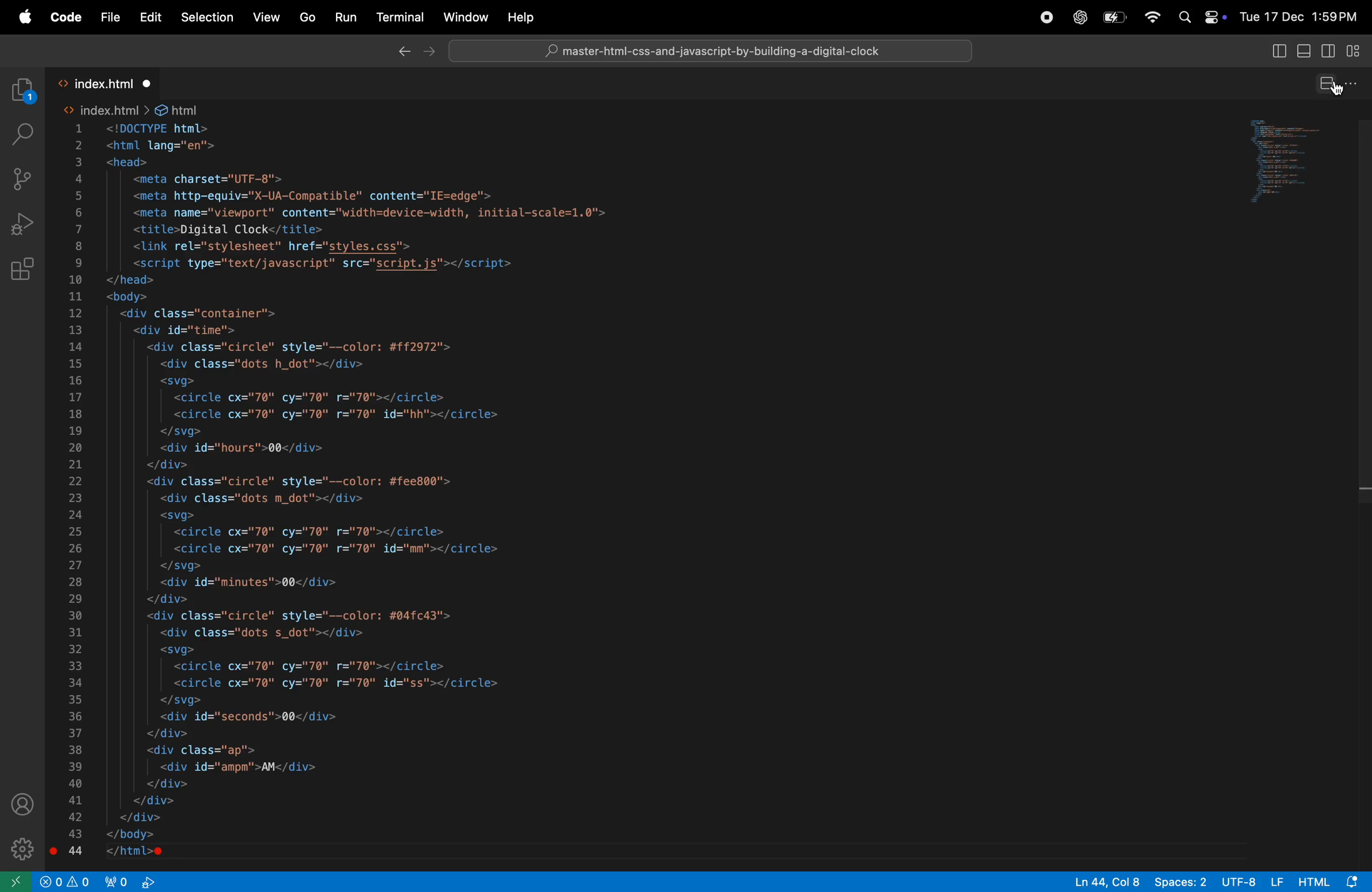 Image resolution: width=1372 pixels, height=892 pixels. I want to click on Control center, so click(1213, 17).